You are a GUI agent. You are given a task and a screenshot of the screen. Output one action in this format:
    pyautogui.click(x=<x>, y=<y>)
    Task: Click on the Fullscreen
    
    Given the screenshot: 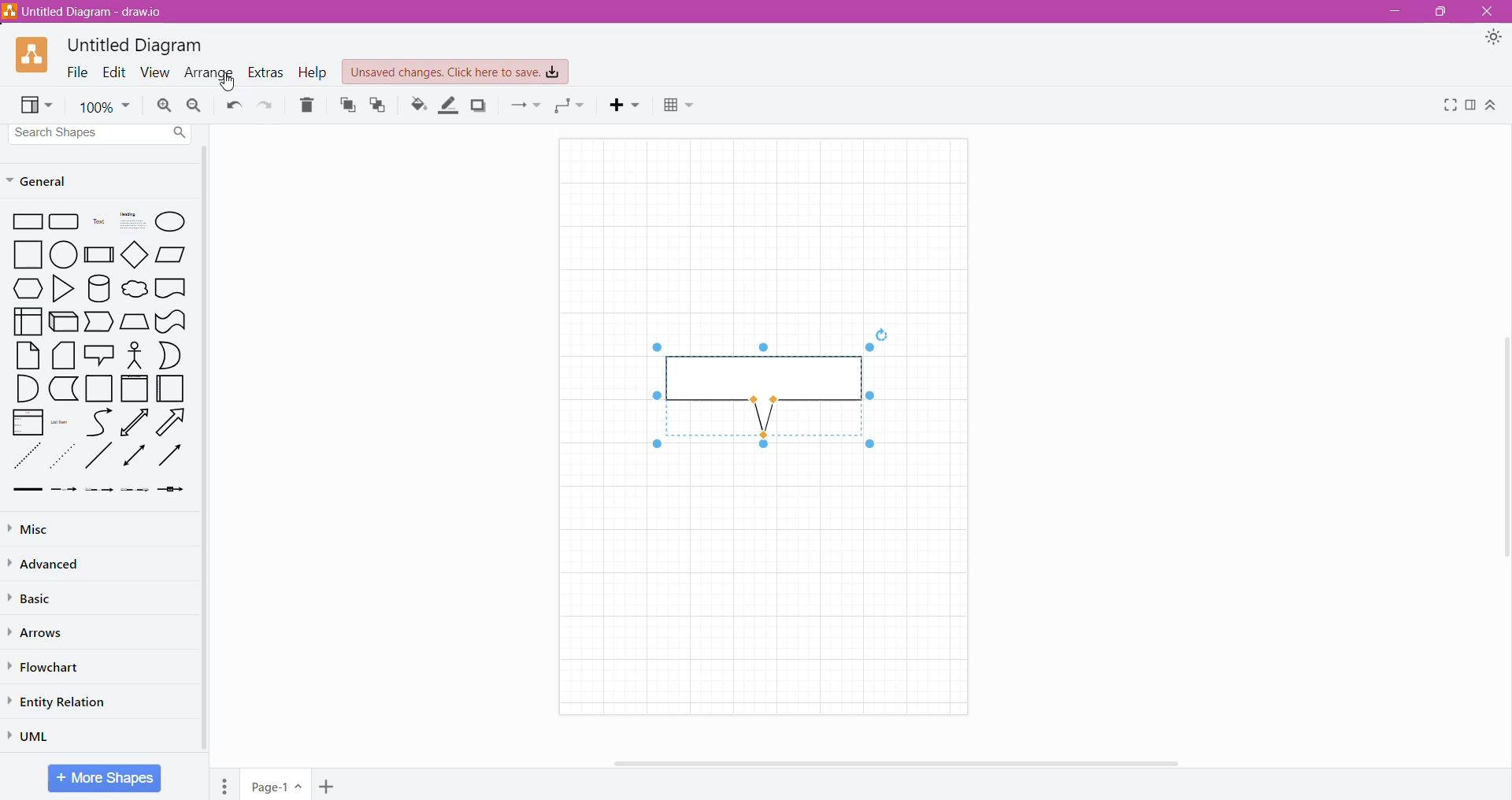 What is the action you would take?
    pyautogui.click(x=1447, y=105)
    